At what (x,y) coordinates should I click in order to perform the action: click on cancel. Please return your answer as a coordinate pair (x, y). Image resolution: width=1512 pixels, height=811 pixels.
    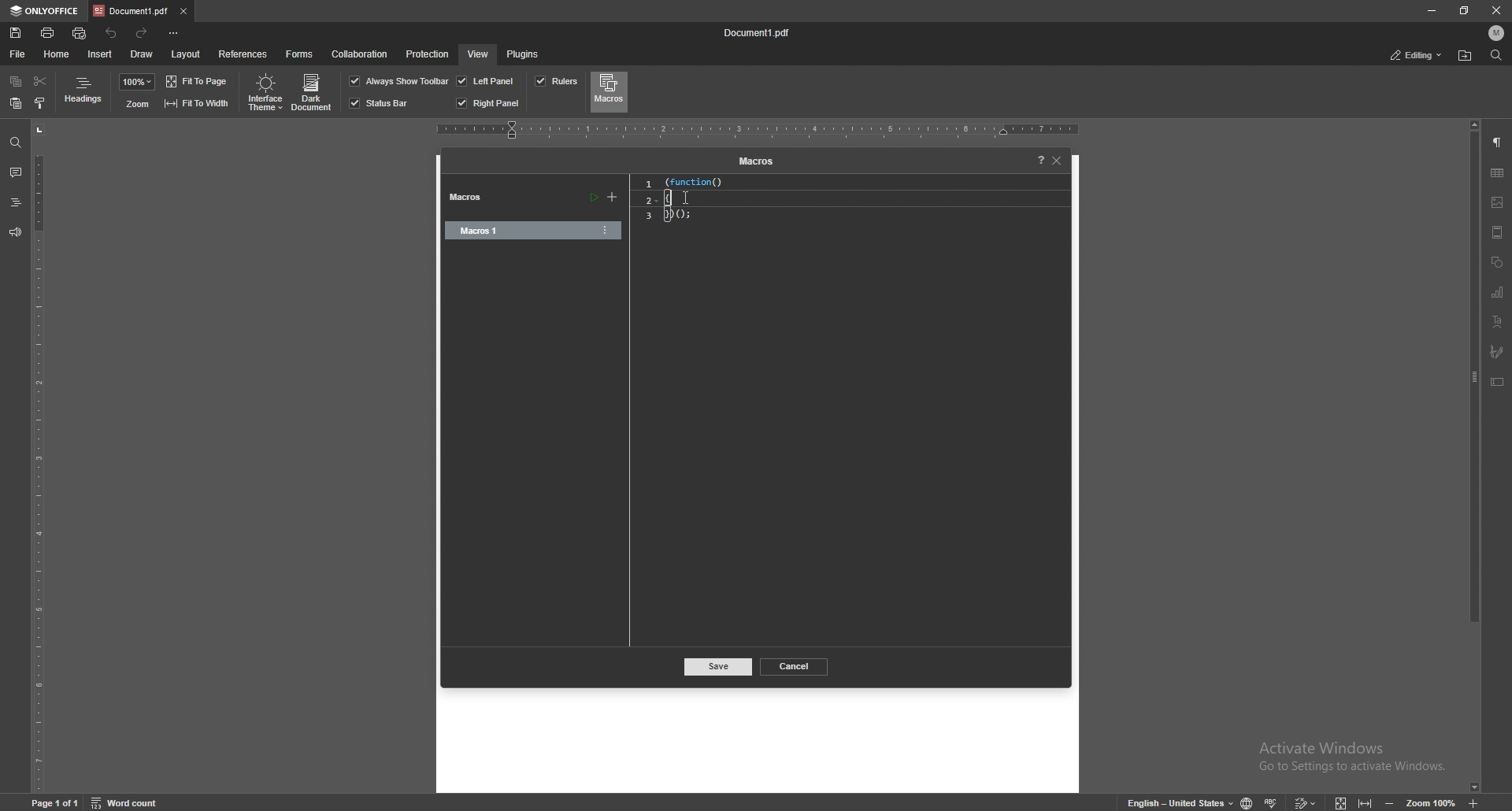
    Looking at the image, I should click on (795, 665).